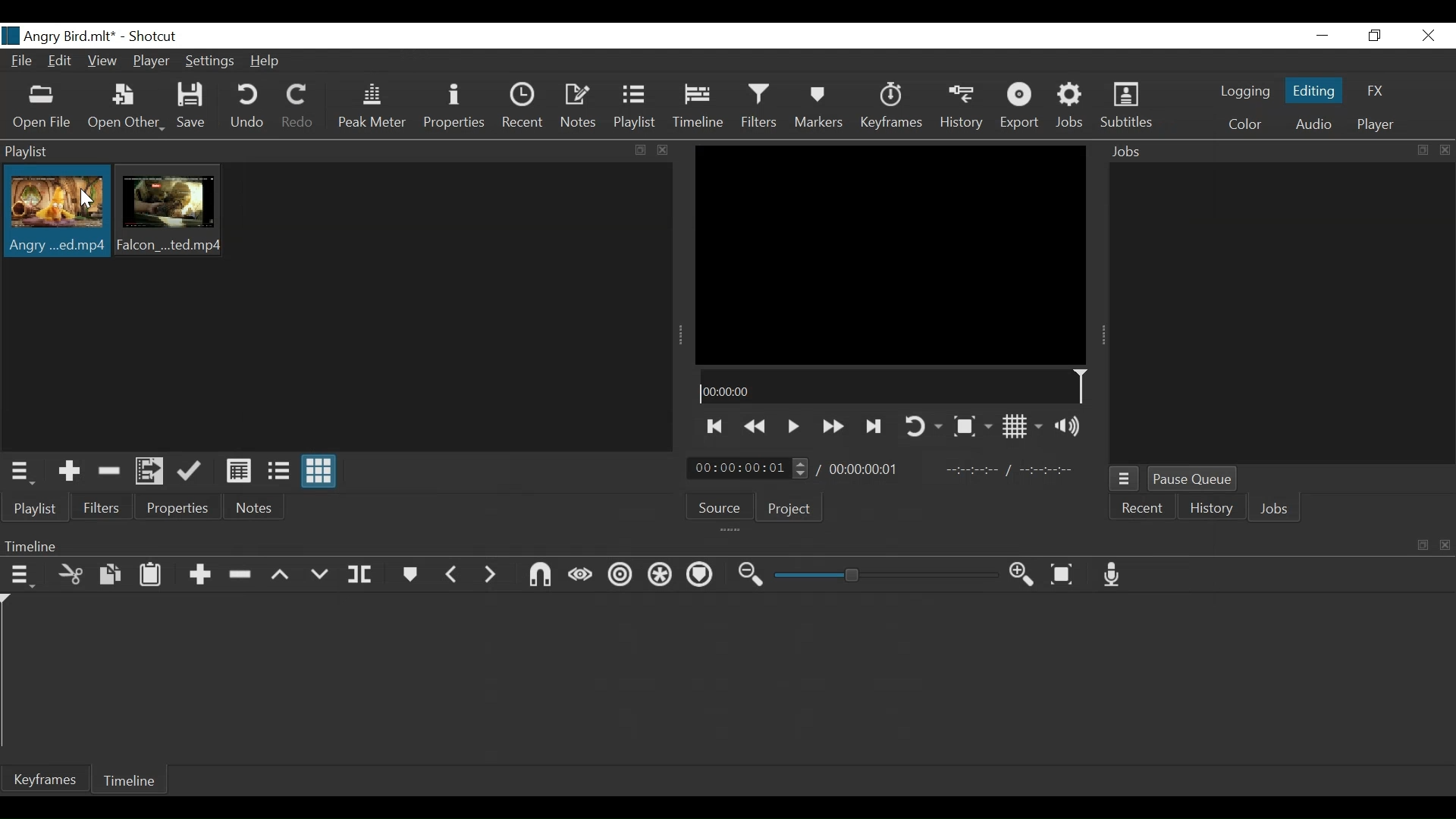  I want to click on Toggle player looping, so click(924, 427).